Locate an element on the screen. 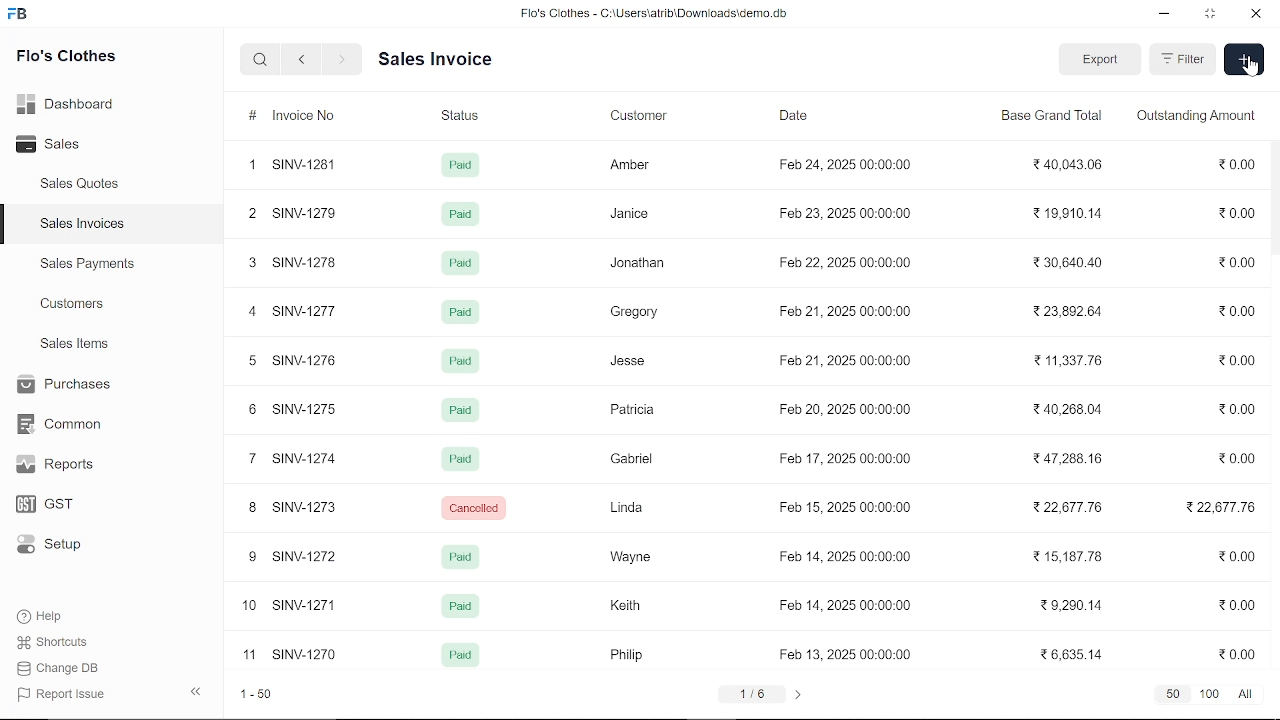 The height and width of the screenshot is (720, 1280). close is located at coordinates (1254, 14).